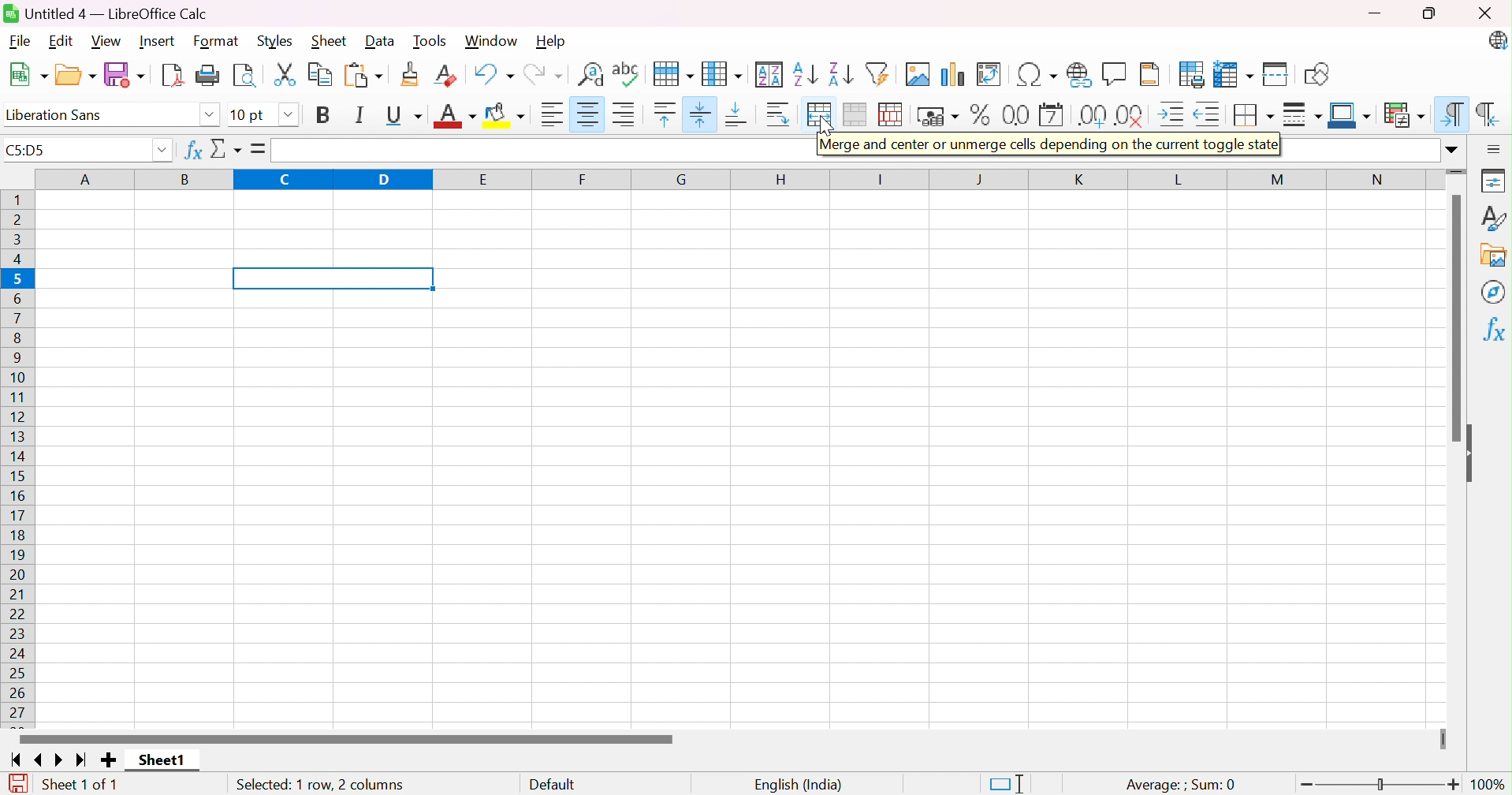 The image size is (1512, 795). Describe the element at coordinates (106, 13) in the screenshot. I see `Untitled 4 - LibreOffice Calc` at that location.